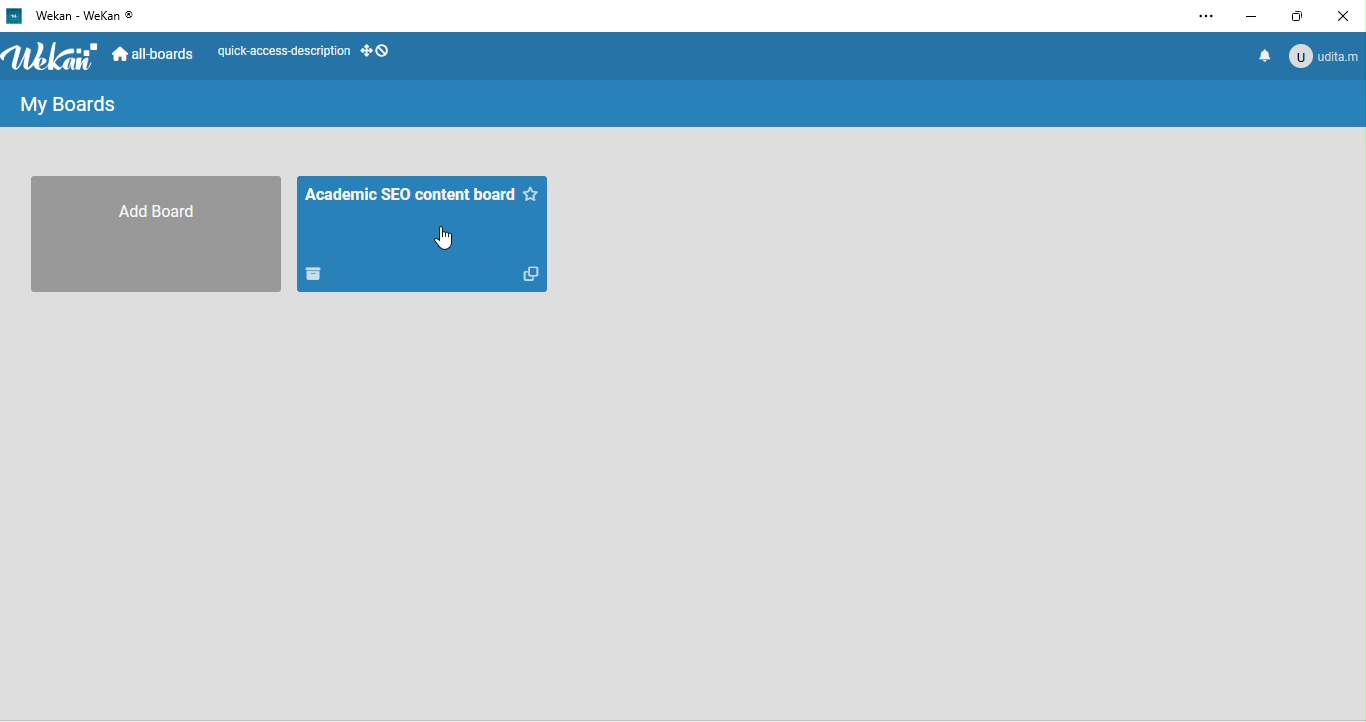 Image resolution: width=1366 pixels, height=722 pixels. Describe the element at coordinates (285, 55) in the screenshot. I see `quick access description` at that location.